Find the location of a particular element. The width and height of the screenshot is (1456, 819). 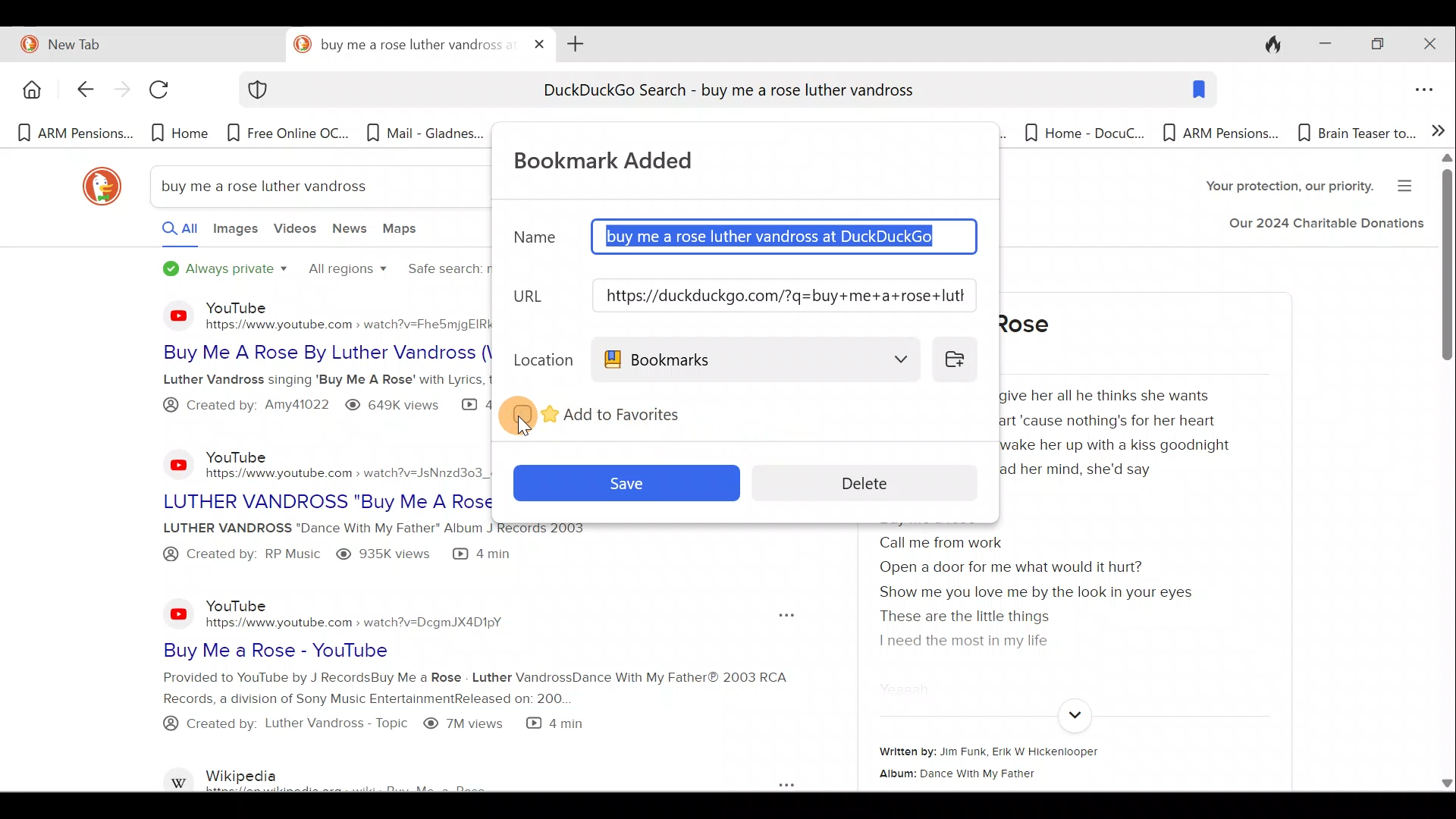

YouTube - https://www.youtube.com » watch?v=JsNnzd303_4 is located at coordinates (341, 460).